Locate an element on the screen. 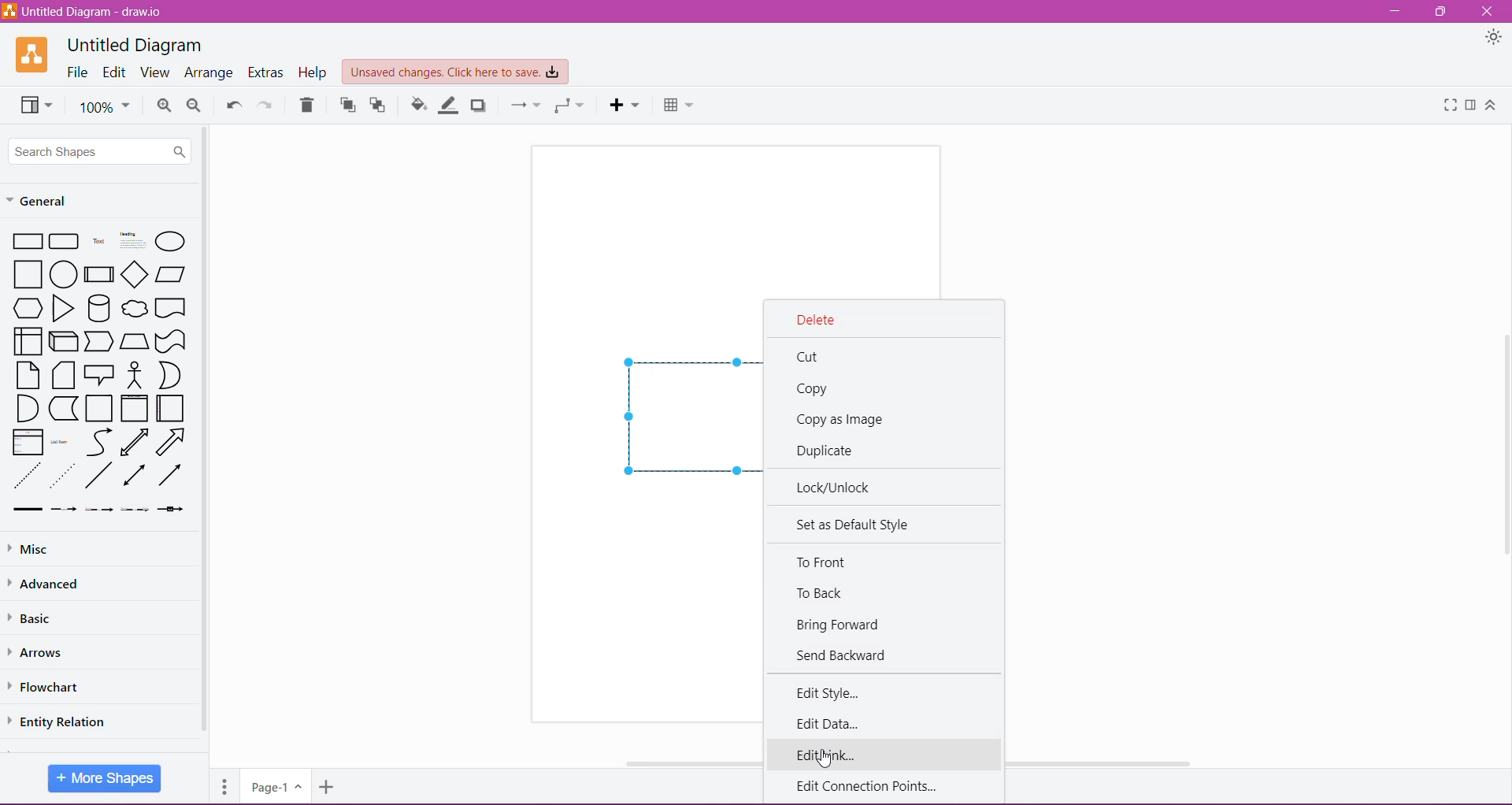  Fill Color is located at coordinates (419, 106).